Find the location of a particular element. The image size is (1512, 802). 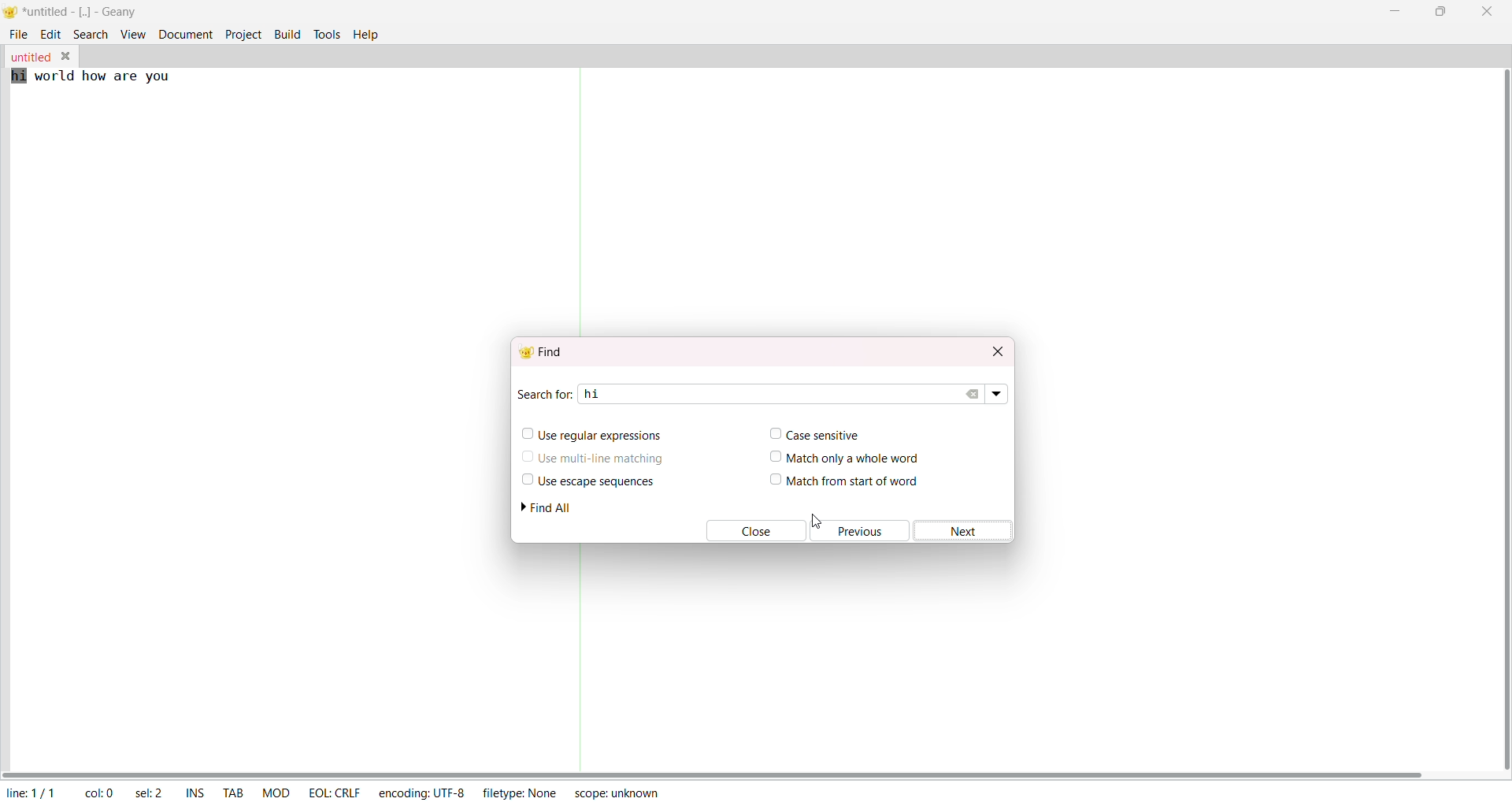

ins is located at coordinates (195, 792).